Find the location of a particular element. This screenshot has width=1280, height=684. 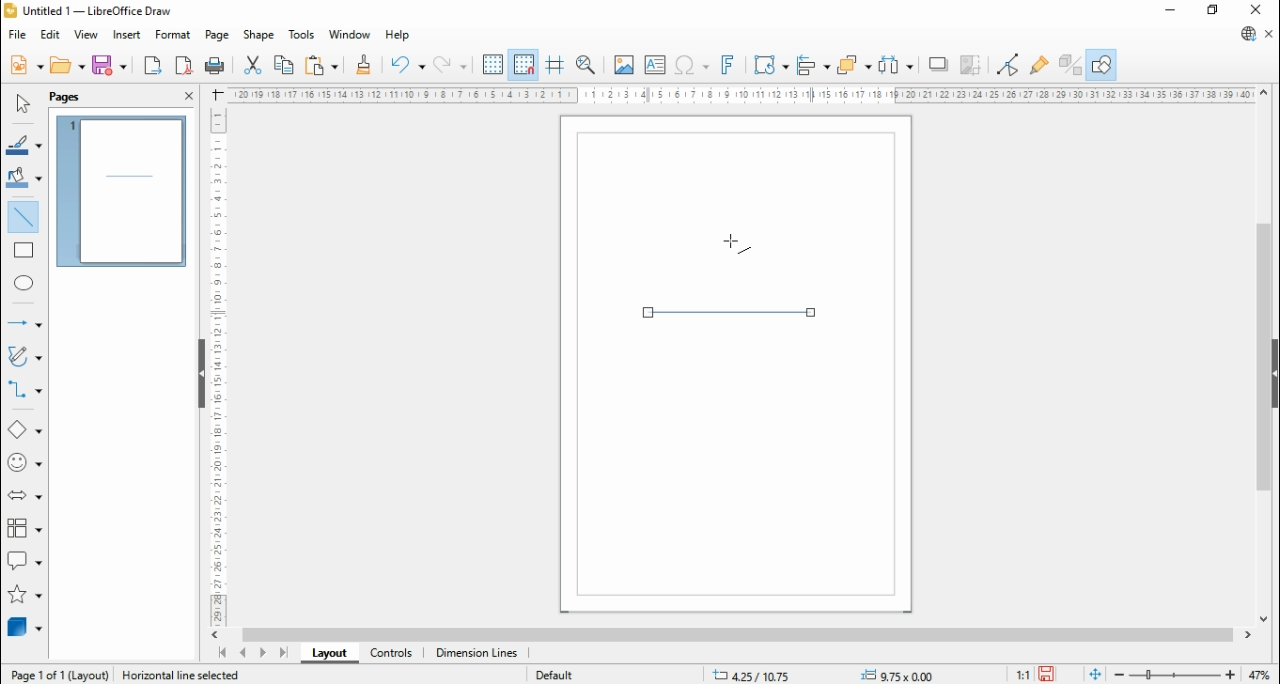

format is located at coordinates (174, 35).